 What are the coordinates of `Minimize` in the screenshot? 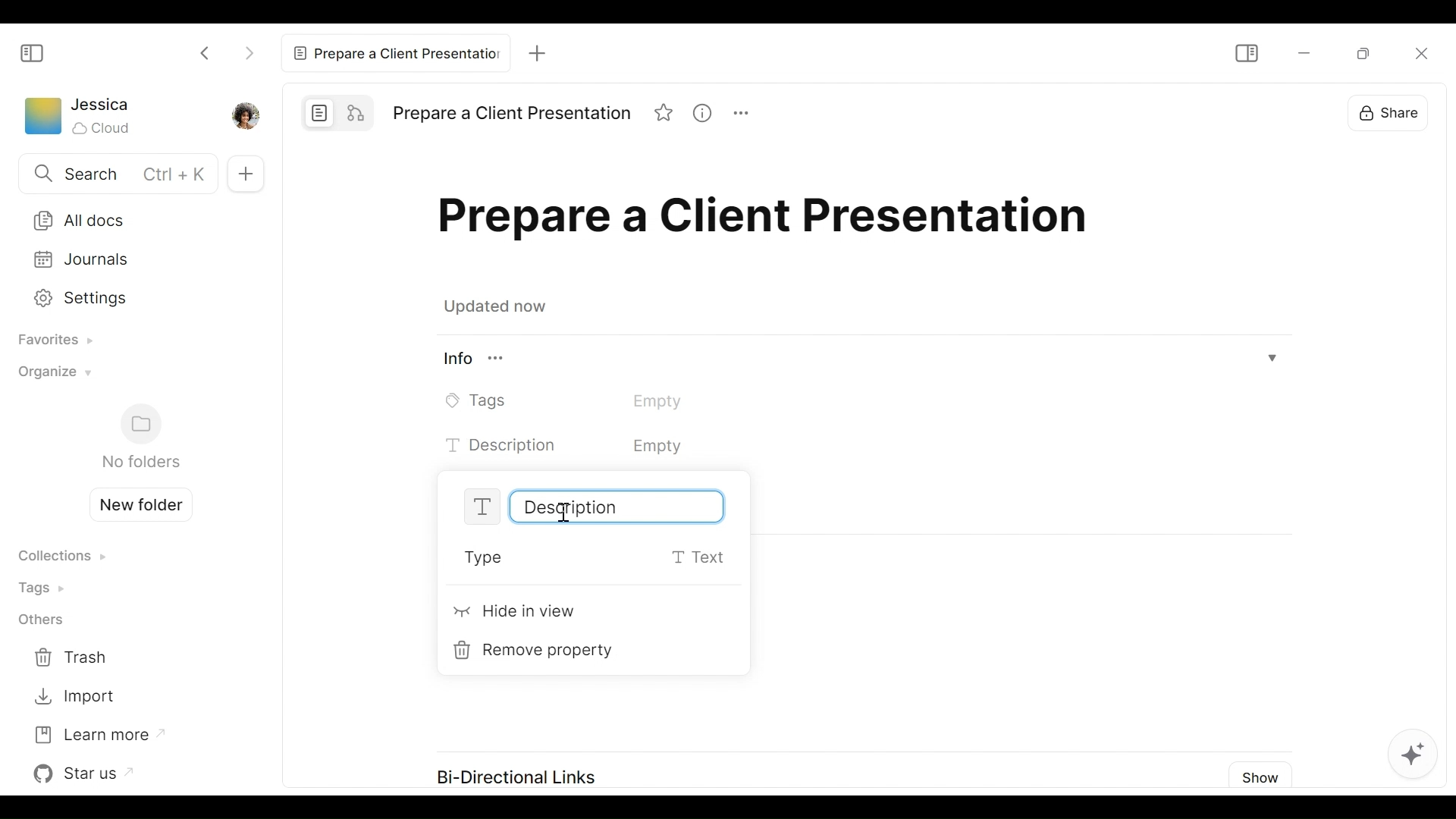 It's located at (1368, 55).